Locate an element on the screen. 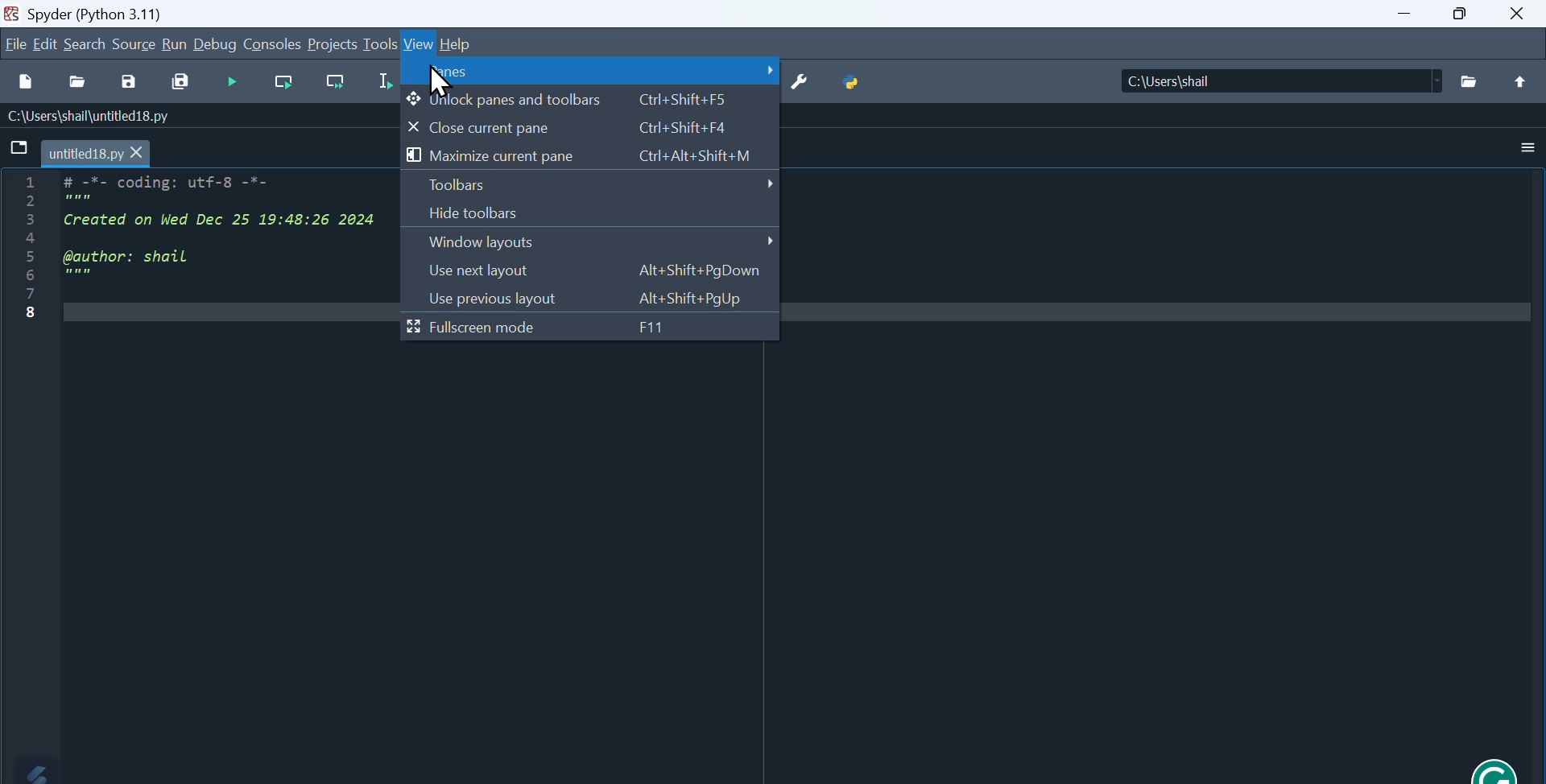 This screenshot has width=1546, height=784. user previous layout is located at coordinates (589, 299).